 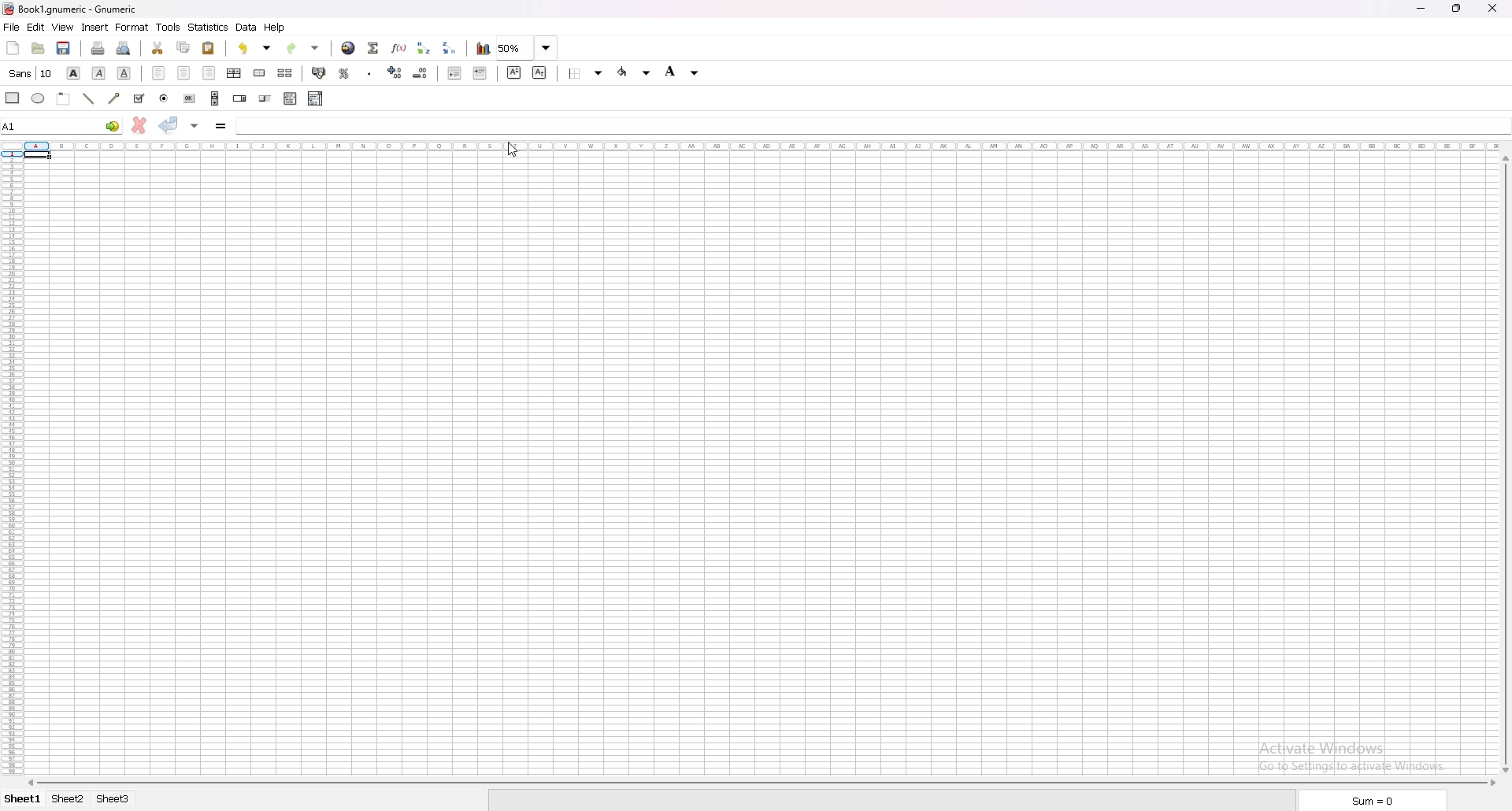 I want to click on new, so click(x=13, y=47).